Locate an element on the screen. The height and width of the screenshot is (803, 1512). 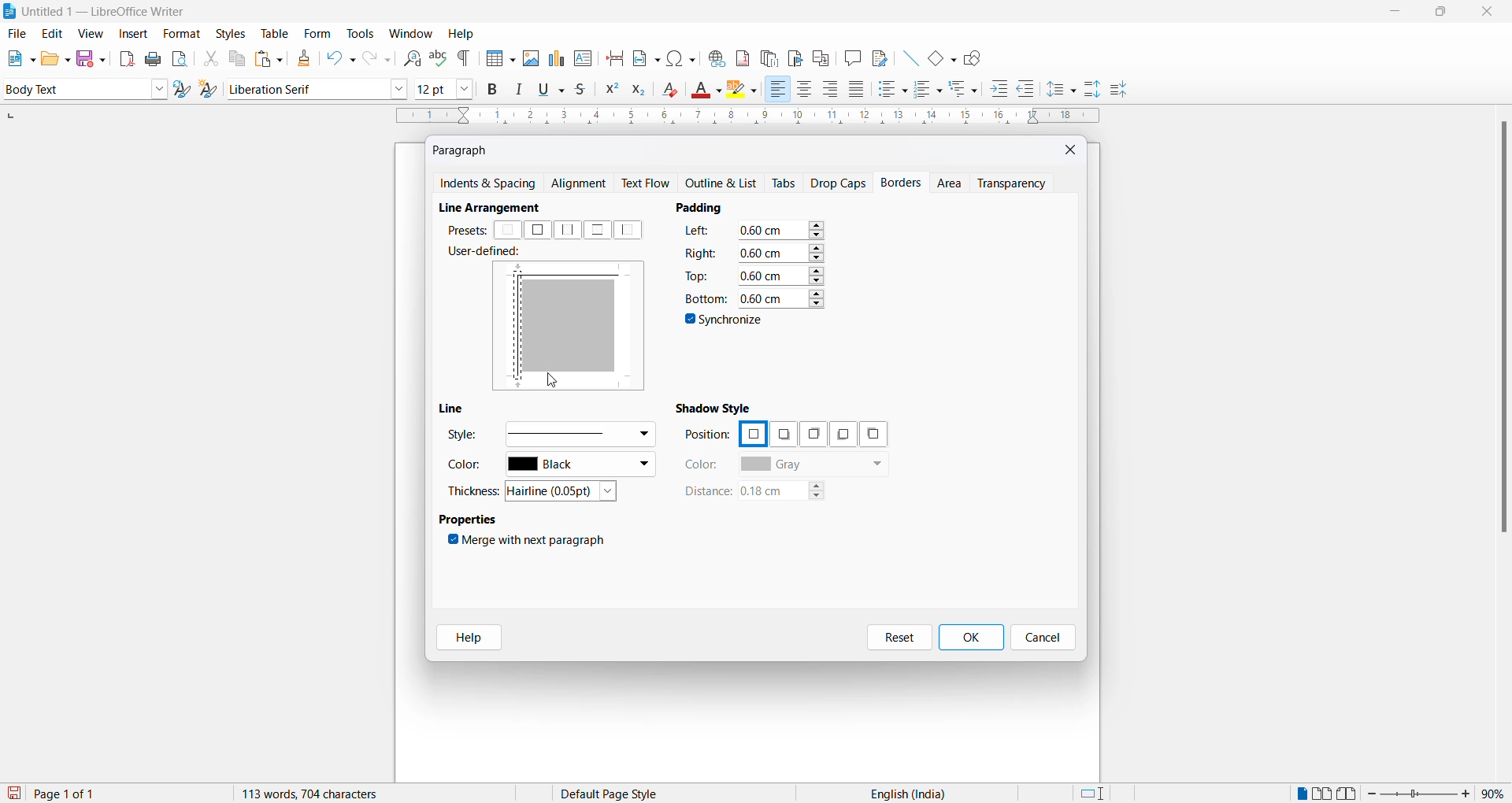
line is located at coordinates (906, 56).